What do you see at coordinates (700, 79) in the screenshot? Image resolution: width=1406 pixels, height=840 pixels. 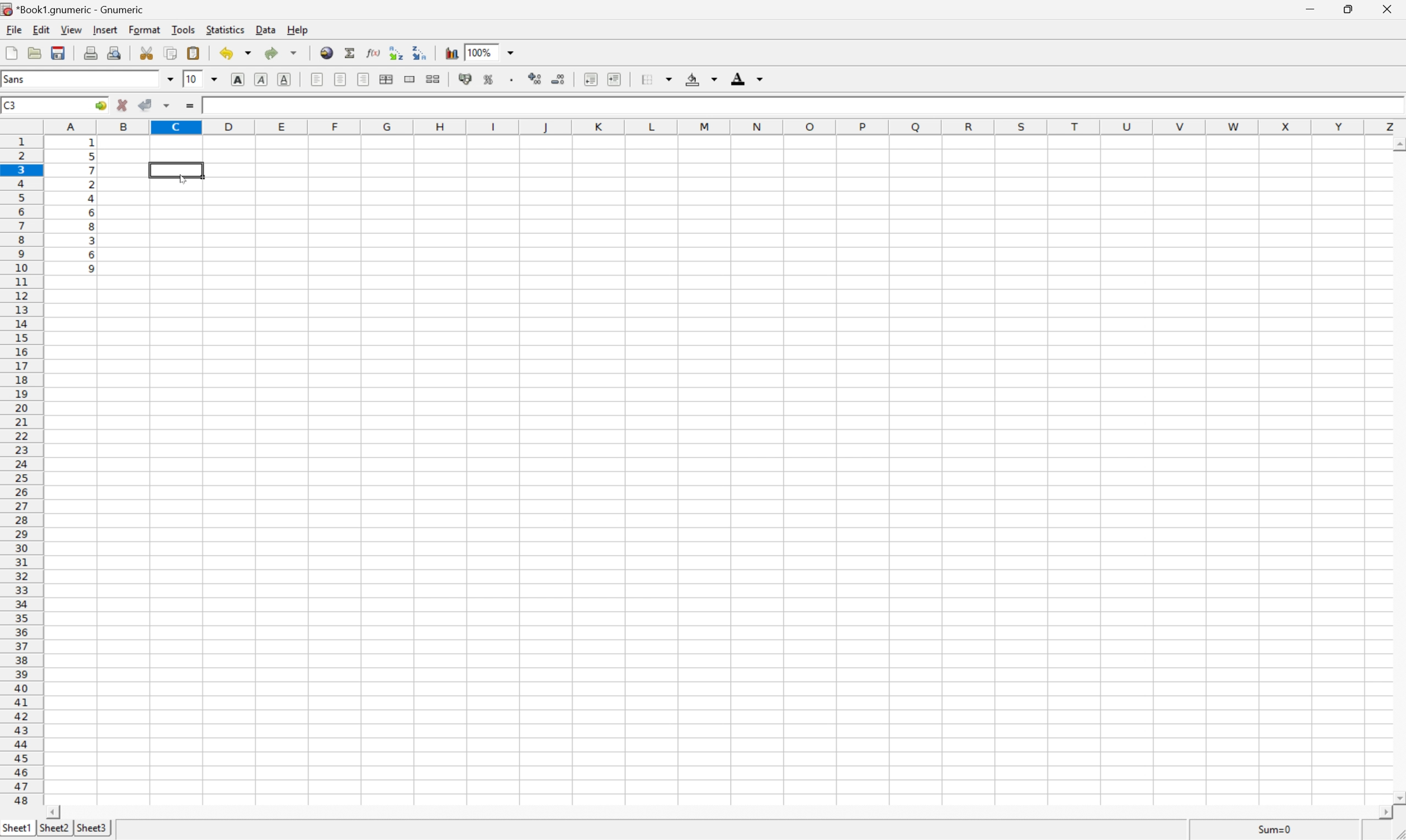 I see `background` at bounding box center [700, 79].